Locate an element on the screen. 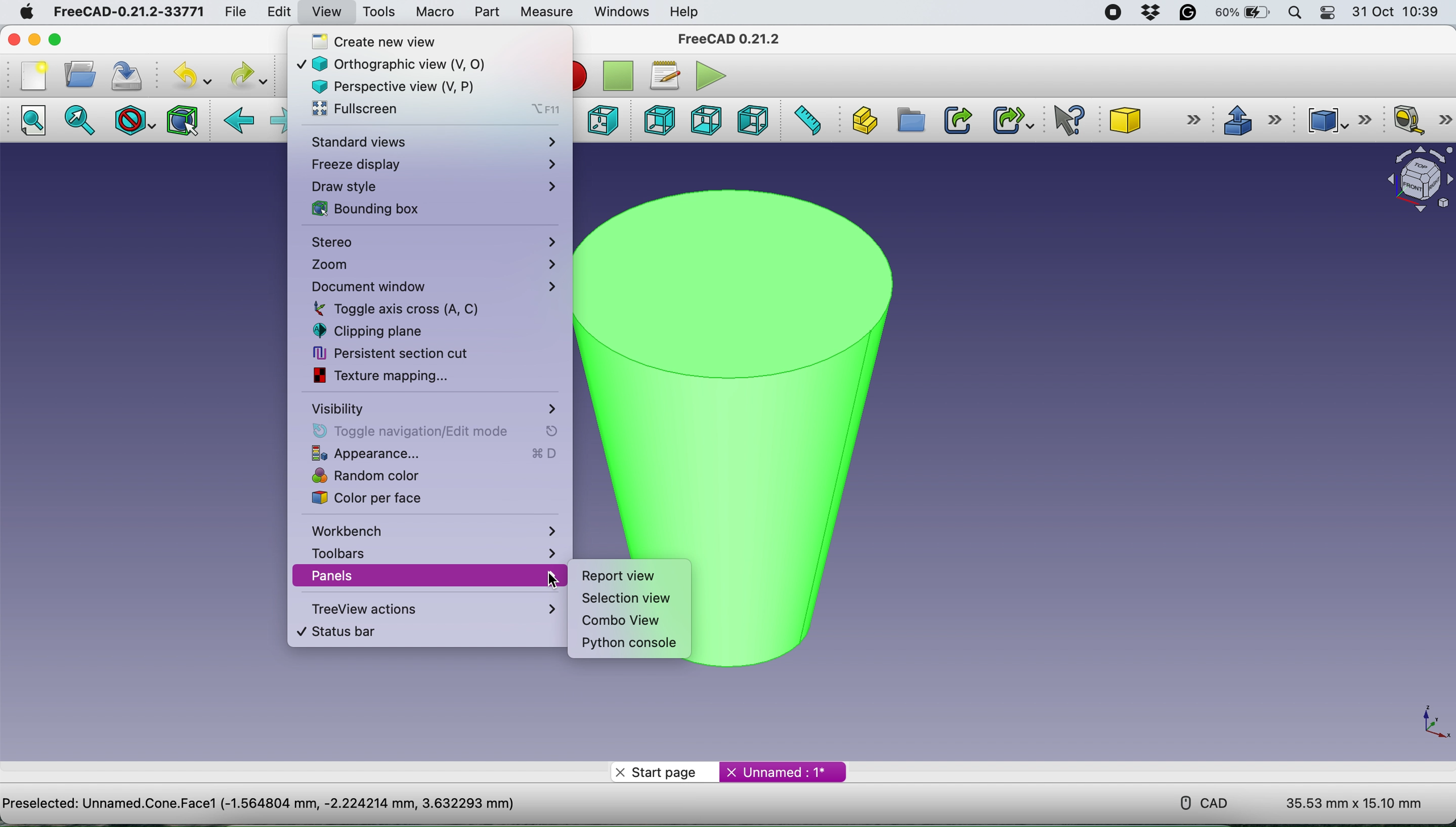 The height and width of the screenshot is (827, 1456). unnamed : 1* is located at coordinates (783, 770).